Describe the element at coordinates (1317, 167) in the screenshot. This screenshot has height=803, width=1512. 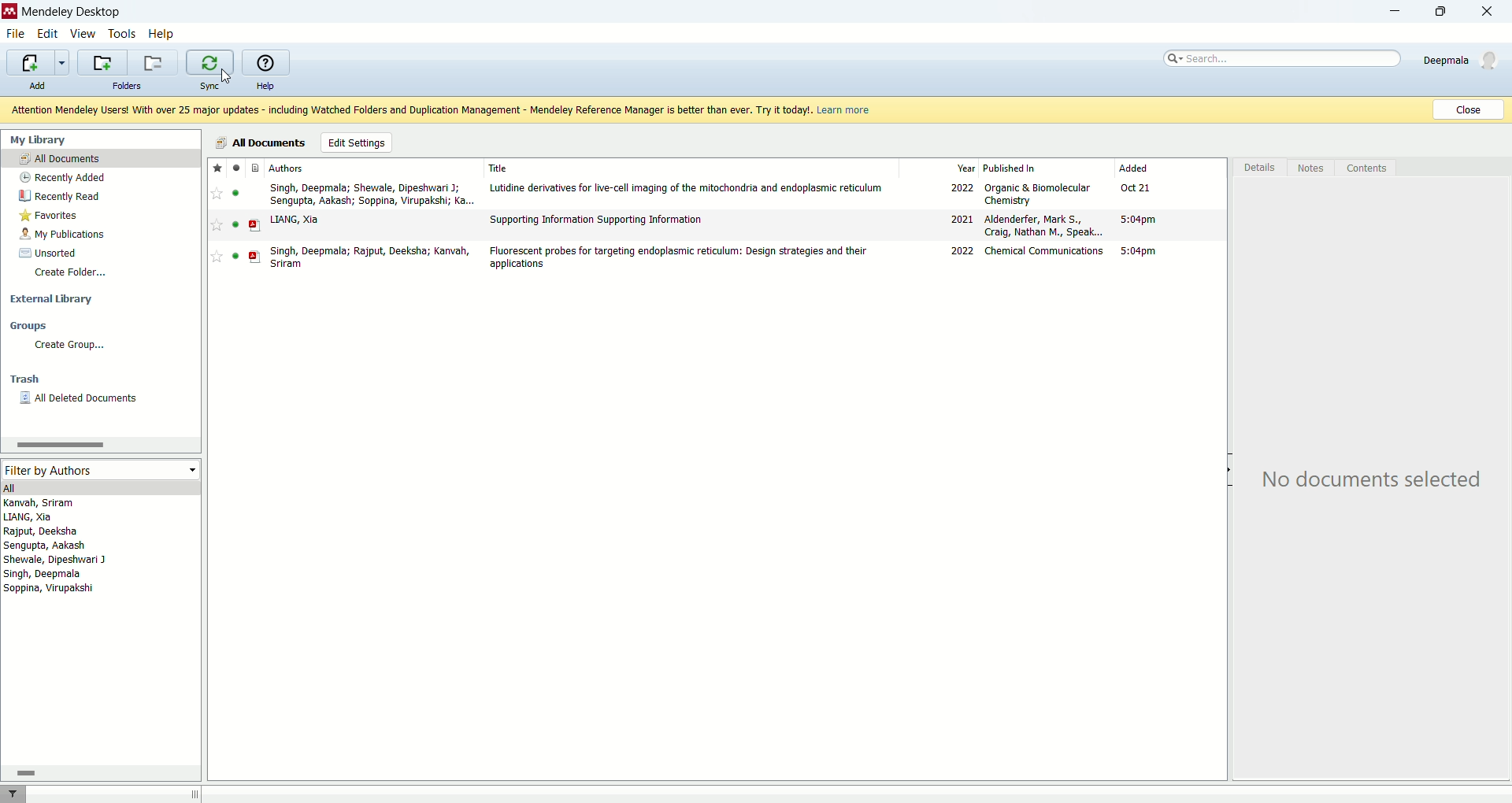
I see `notes` at that location.